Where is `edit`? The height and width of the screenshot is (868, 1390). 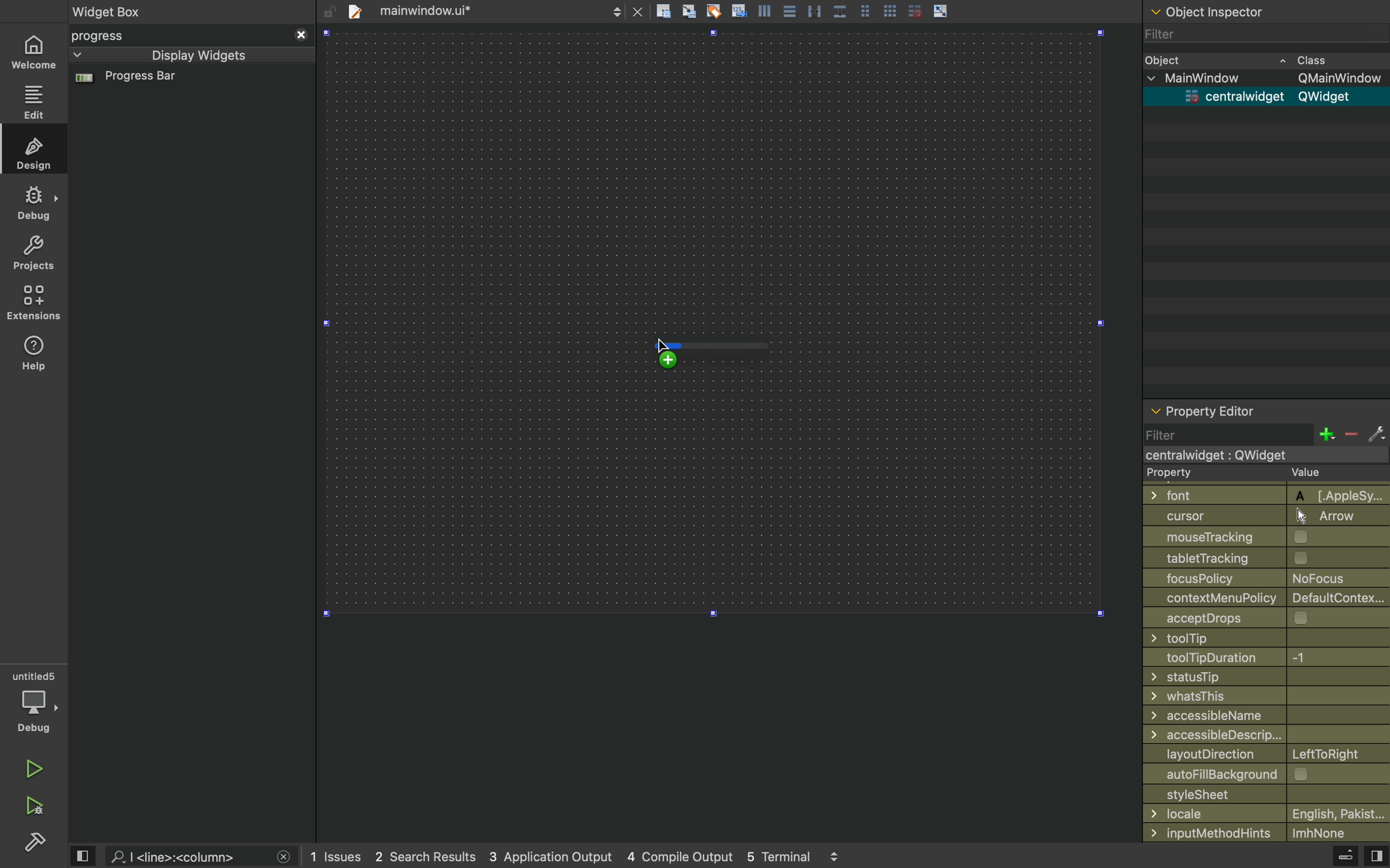
edit is located at coordinates (34, 102).